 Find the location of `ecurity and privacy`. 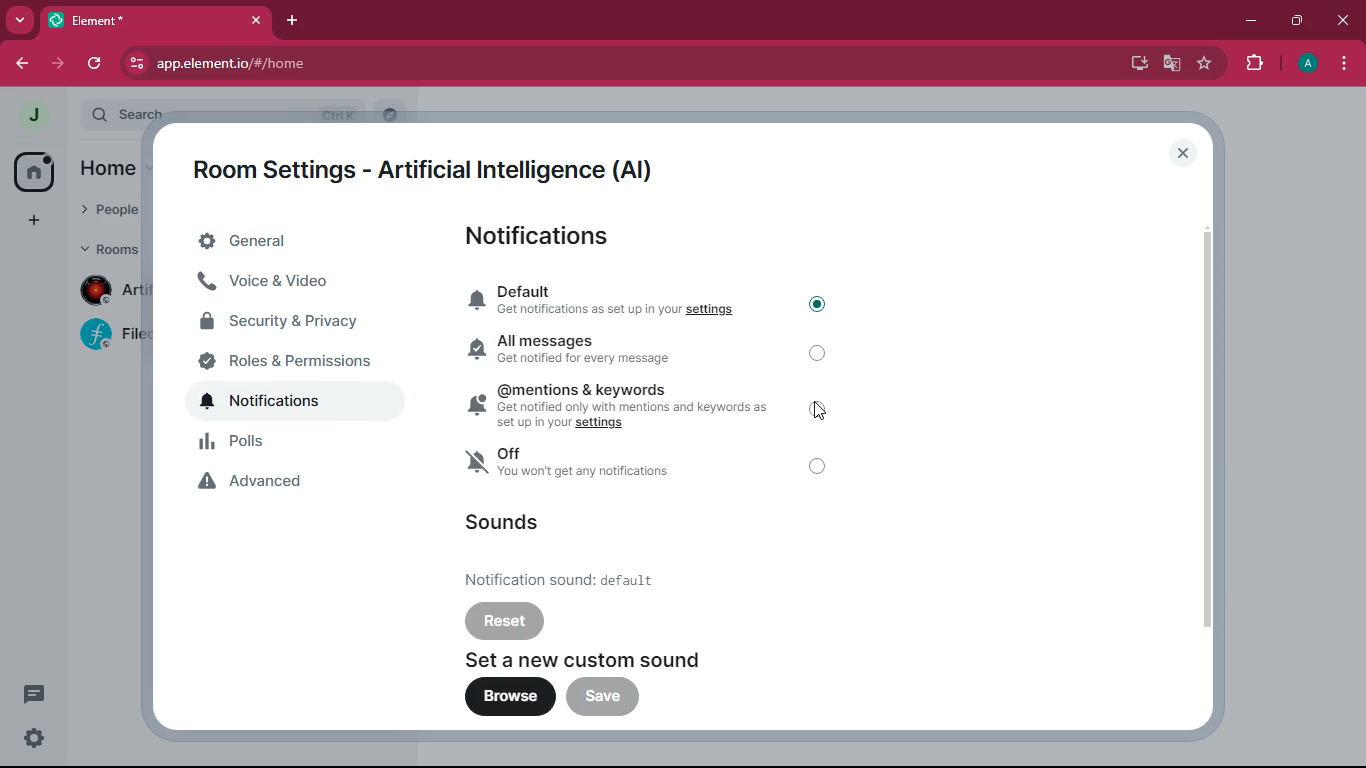

ecurity and privacy is located at coordinates (293, 322).